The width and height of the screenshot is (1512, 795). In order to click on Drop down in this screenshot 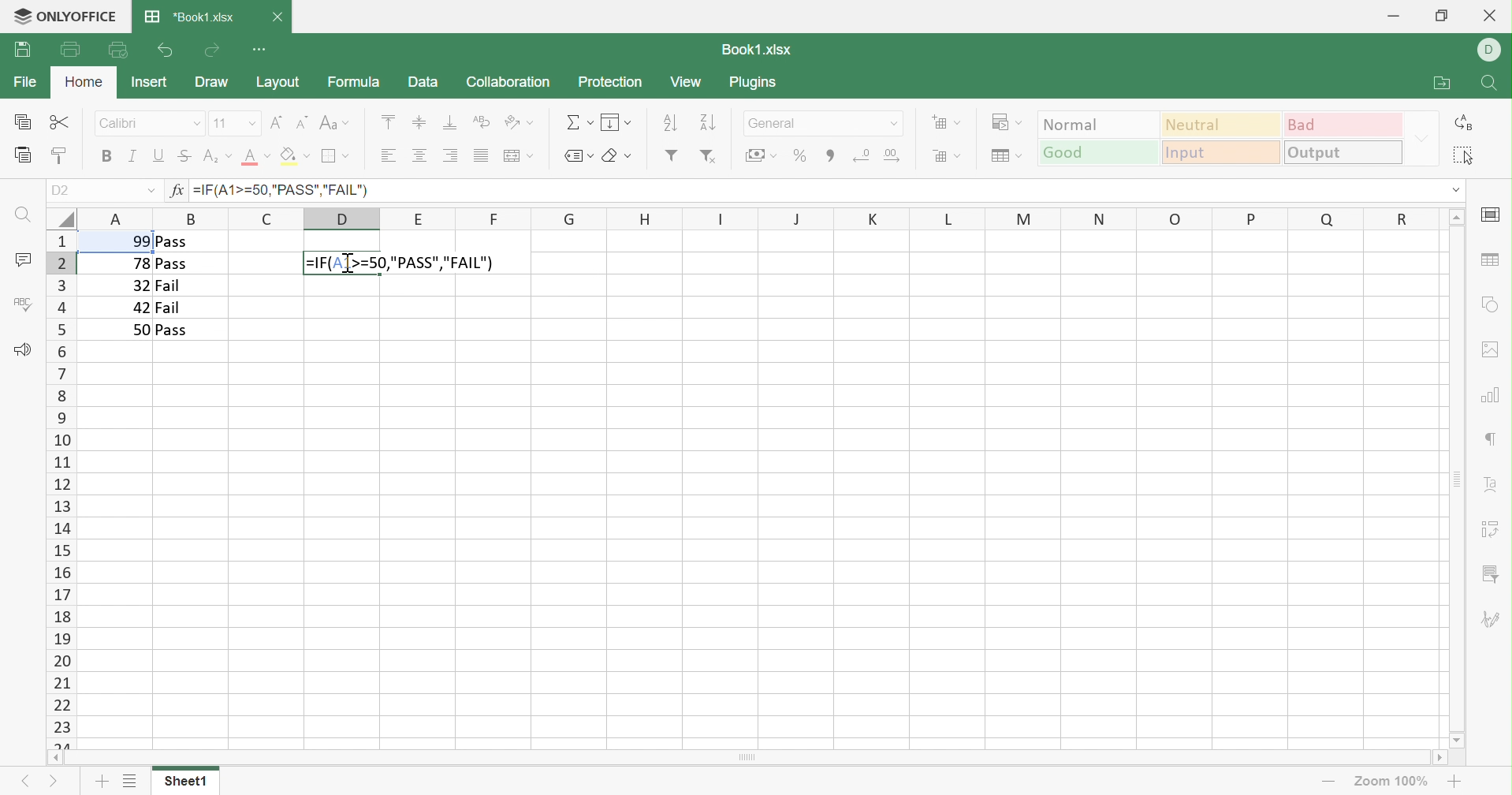, I will do `click(1425, 137)`.